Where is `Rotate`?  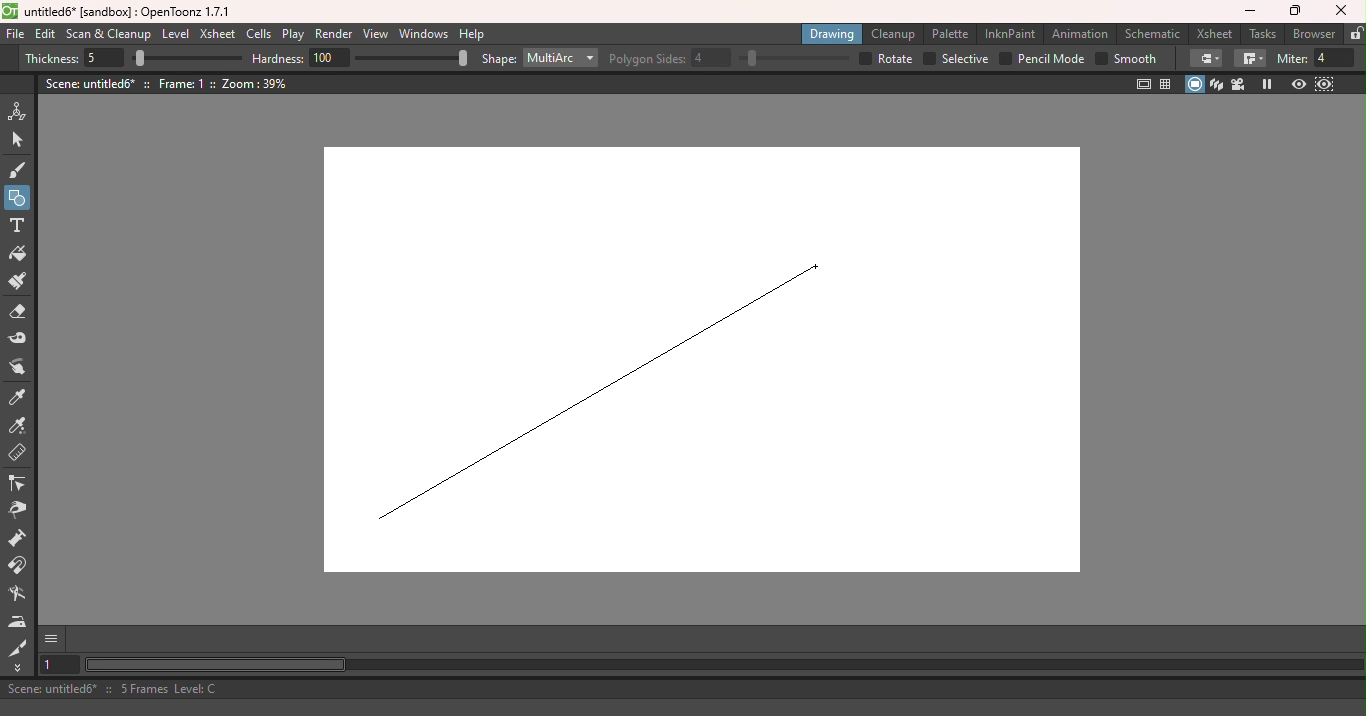
Rotate is located at coordinates (886, 59).